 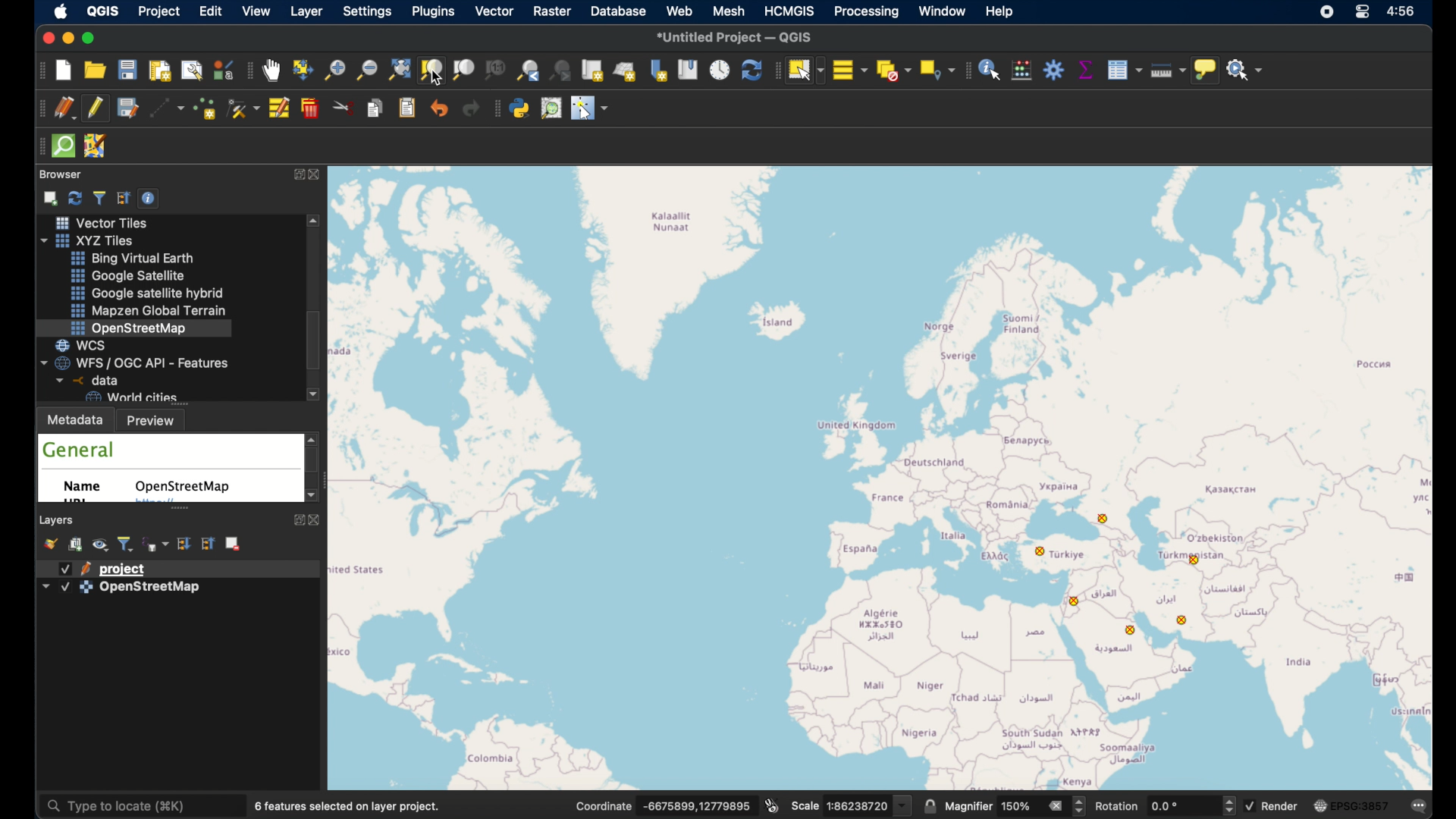 What do you see at coordinates (77, 545) in the screenshot?
I see `add group` at bounding box center [77, 545].